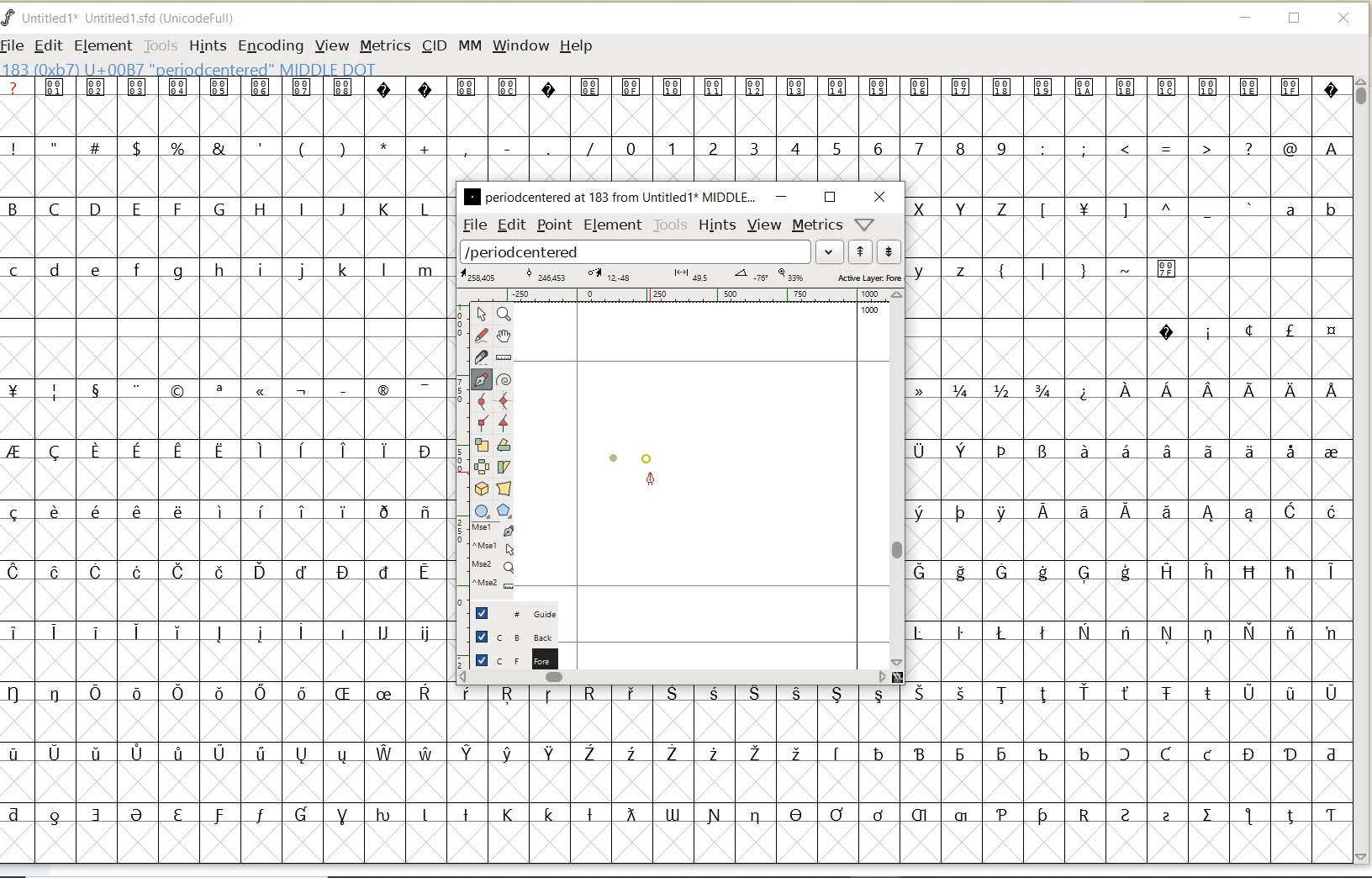  What do you see at coordinates (9, 16) in the screenshot?
I see `FontForge Logo` at bounding box center [9, 16].